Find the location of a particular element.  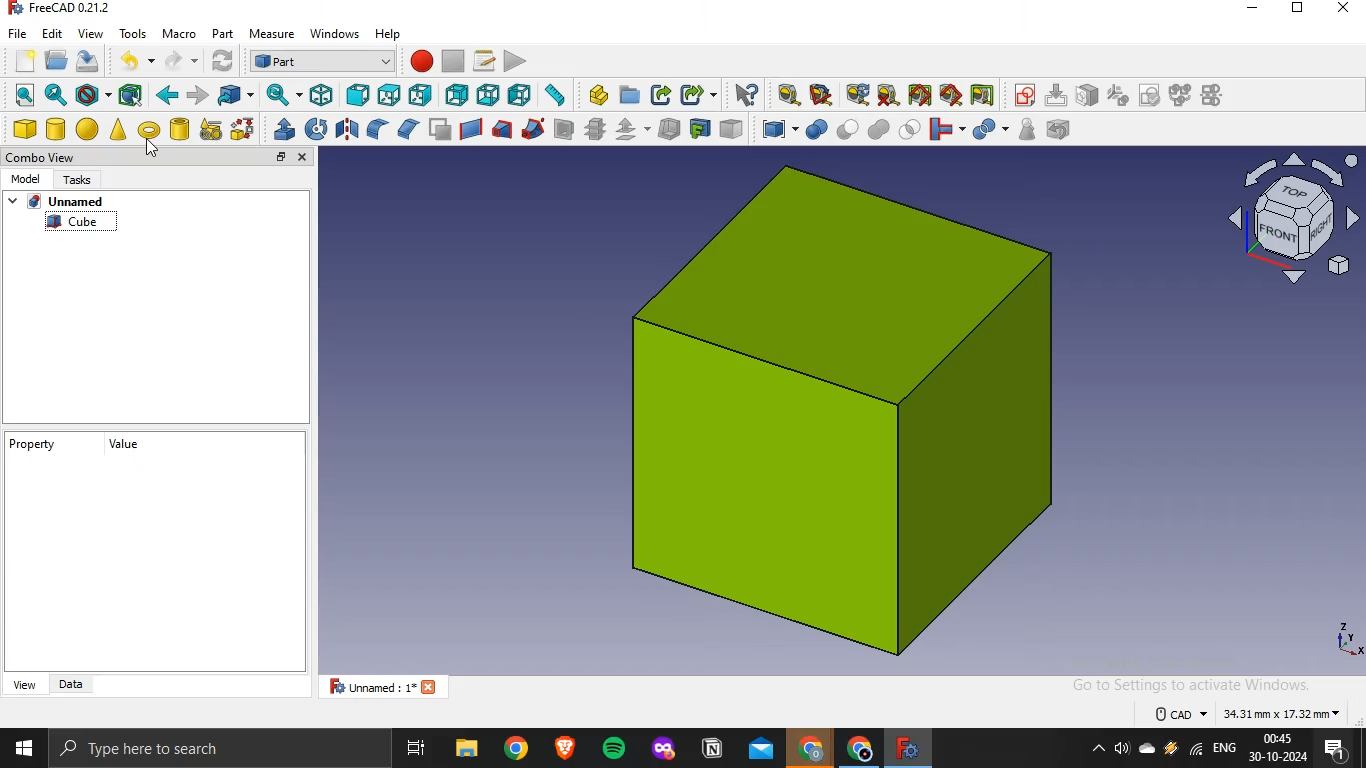

measure distance is located at coordinates (556, 95).